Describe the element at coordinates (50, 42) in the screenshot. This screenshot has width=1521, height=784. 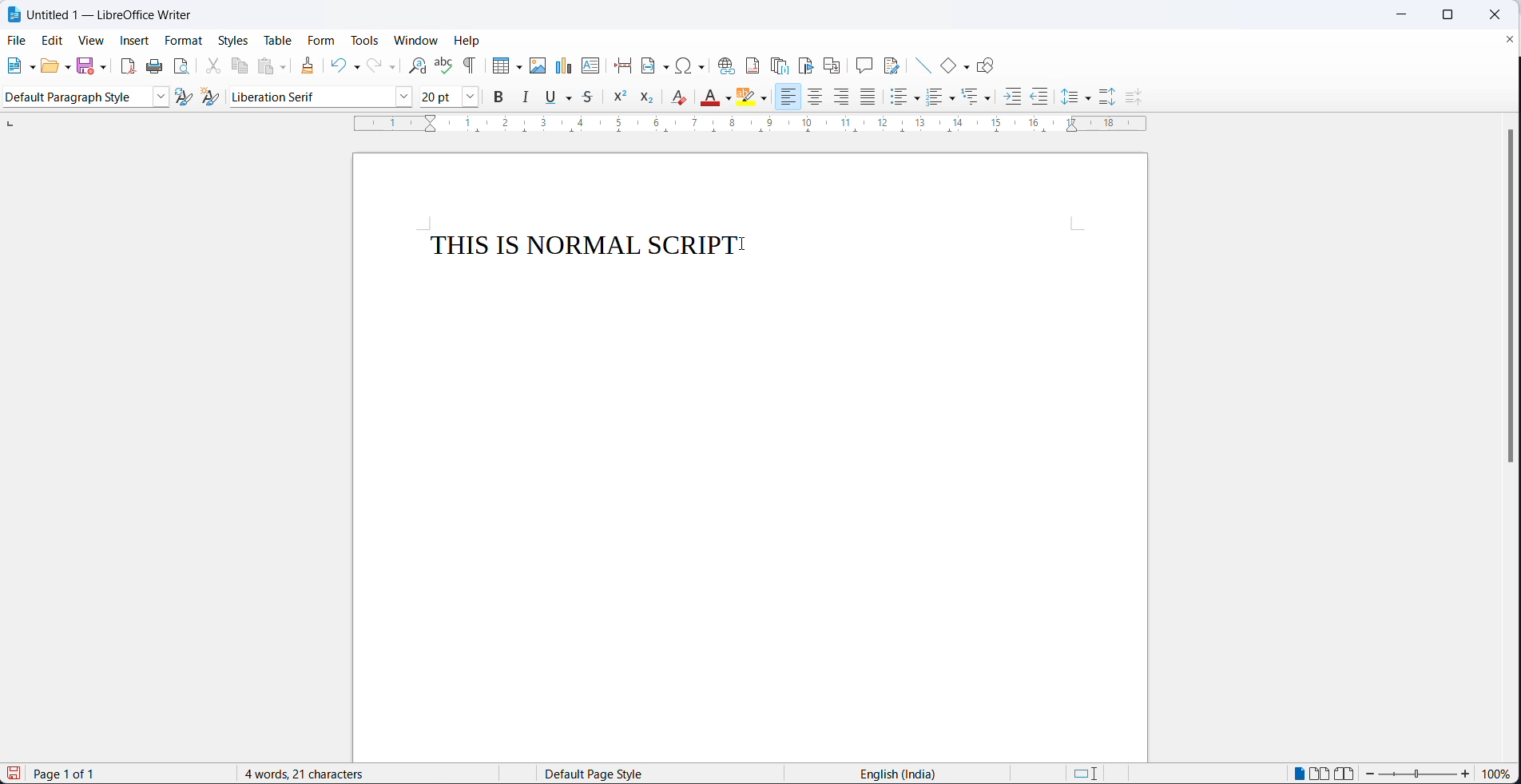
I see `edit` at that location.